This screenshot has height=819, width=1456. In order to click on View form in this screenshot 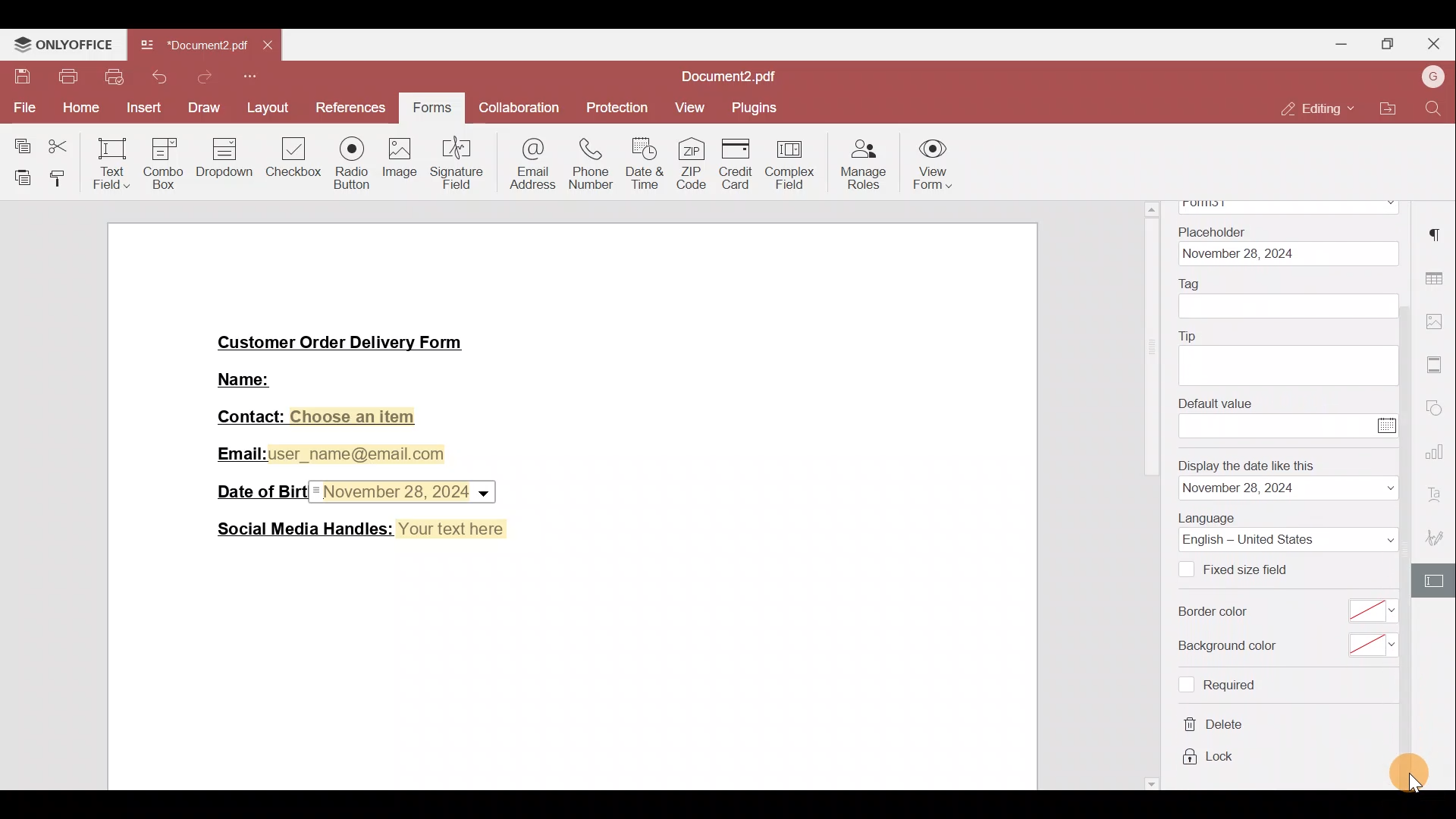, I will do `click(930, 168)`.